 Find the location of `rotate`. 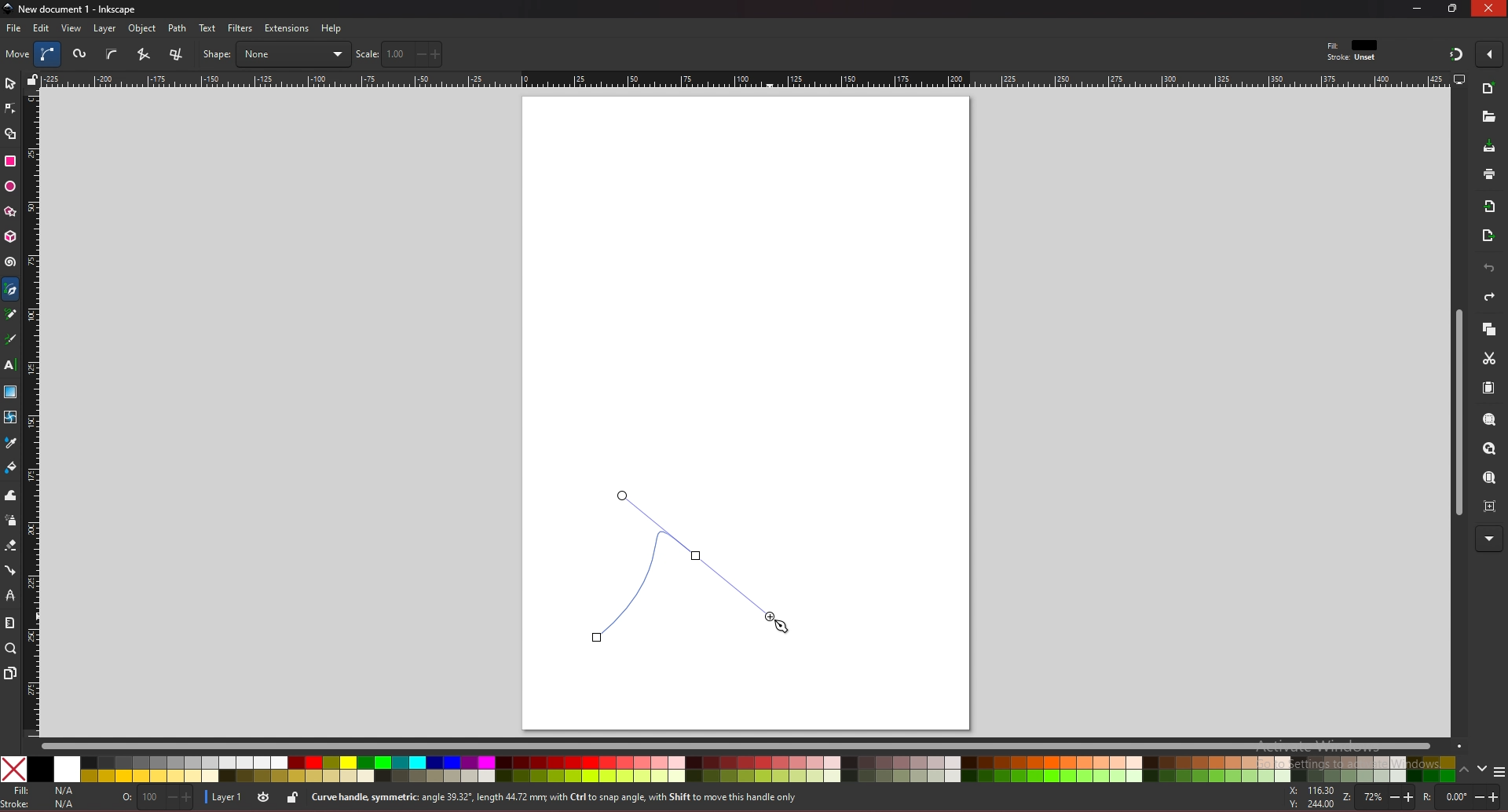

rotate is located at coordinates (1463, 797).